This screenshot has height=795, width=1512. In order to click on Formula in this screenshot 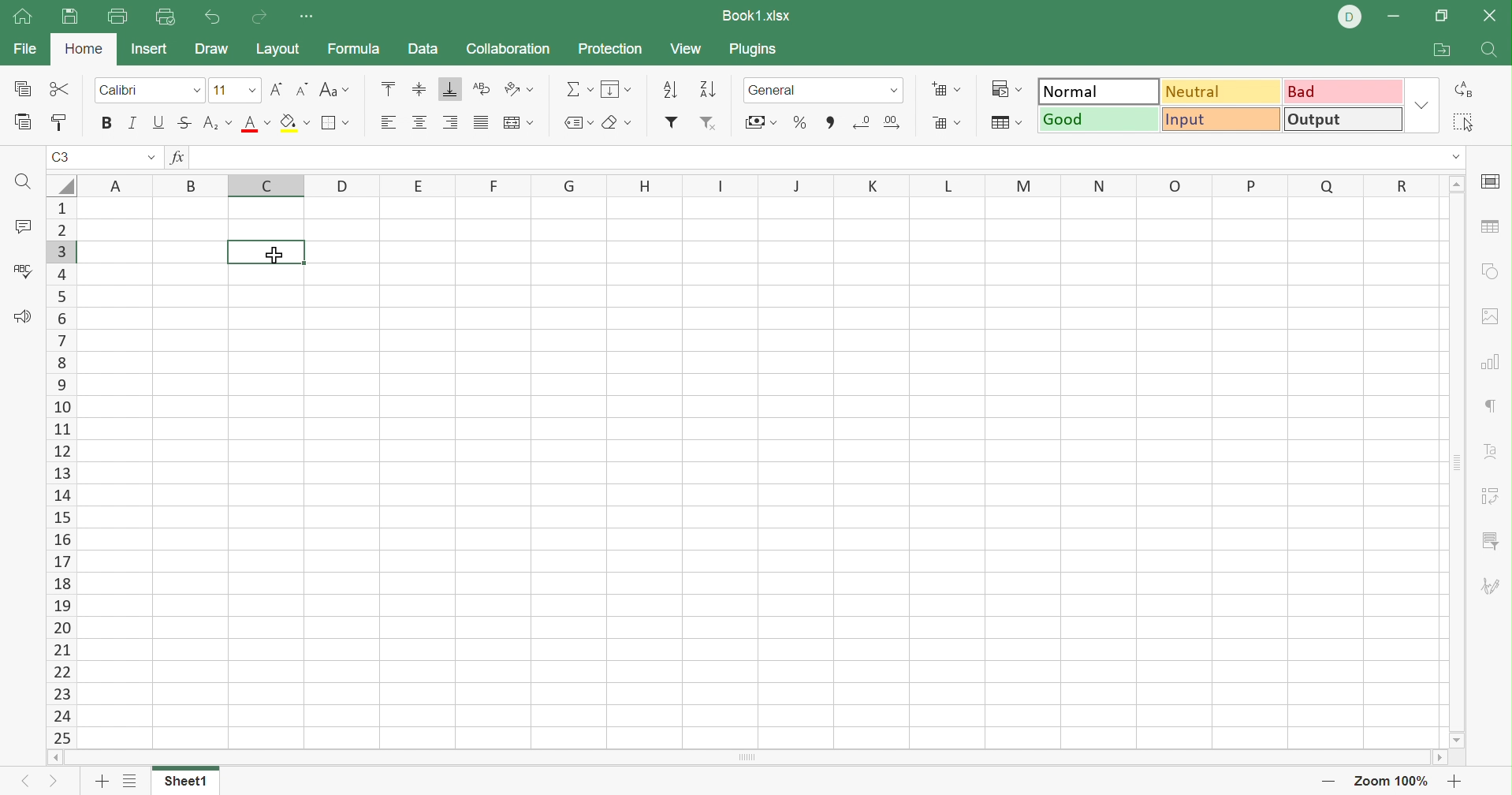, I will do `click(357, 48)`.